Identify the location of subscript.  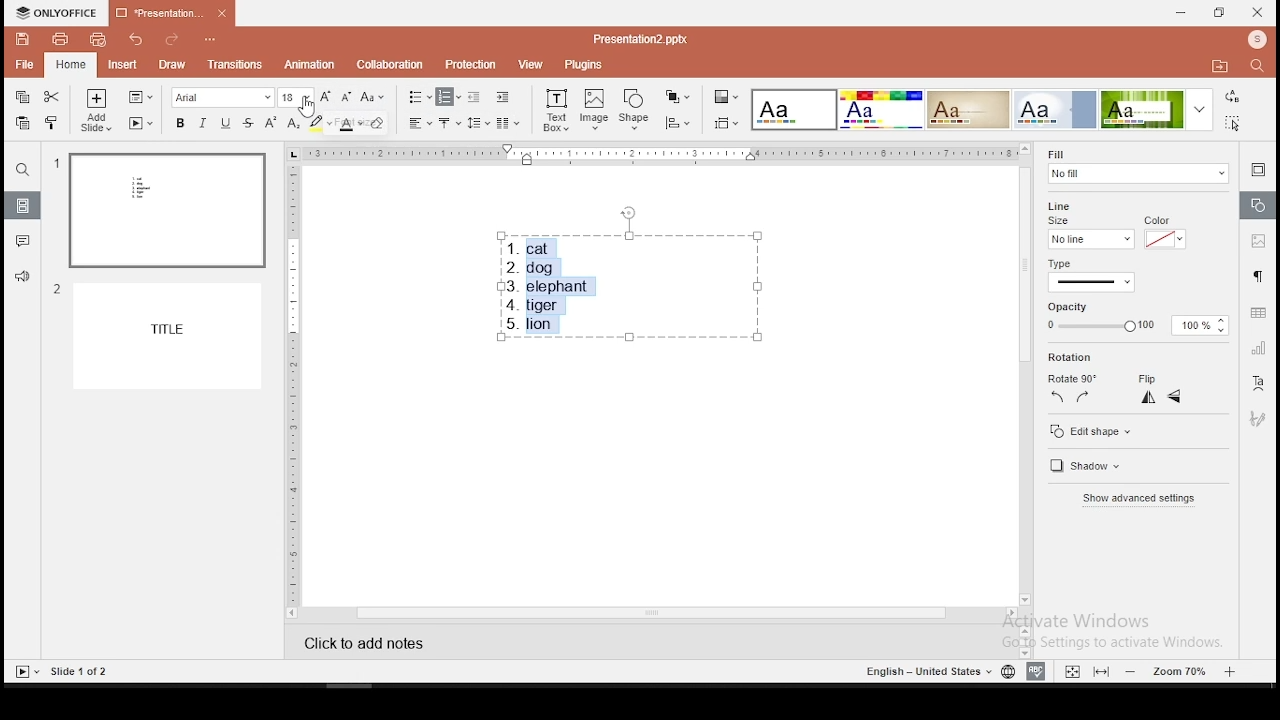
(292, 124).